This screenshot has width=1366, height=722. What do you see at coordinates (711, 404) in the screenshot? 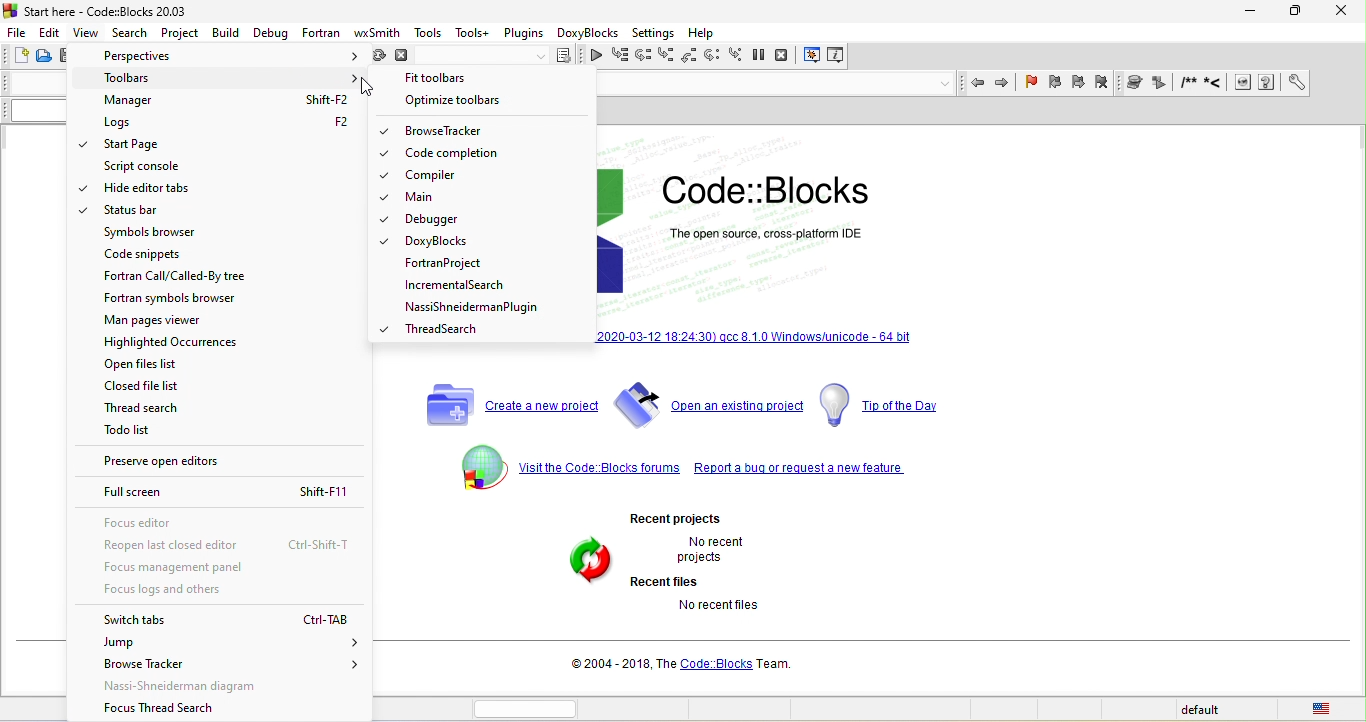
I see `open an existing project` at bounding box center [711, 404].